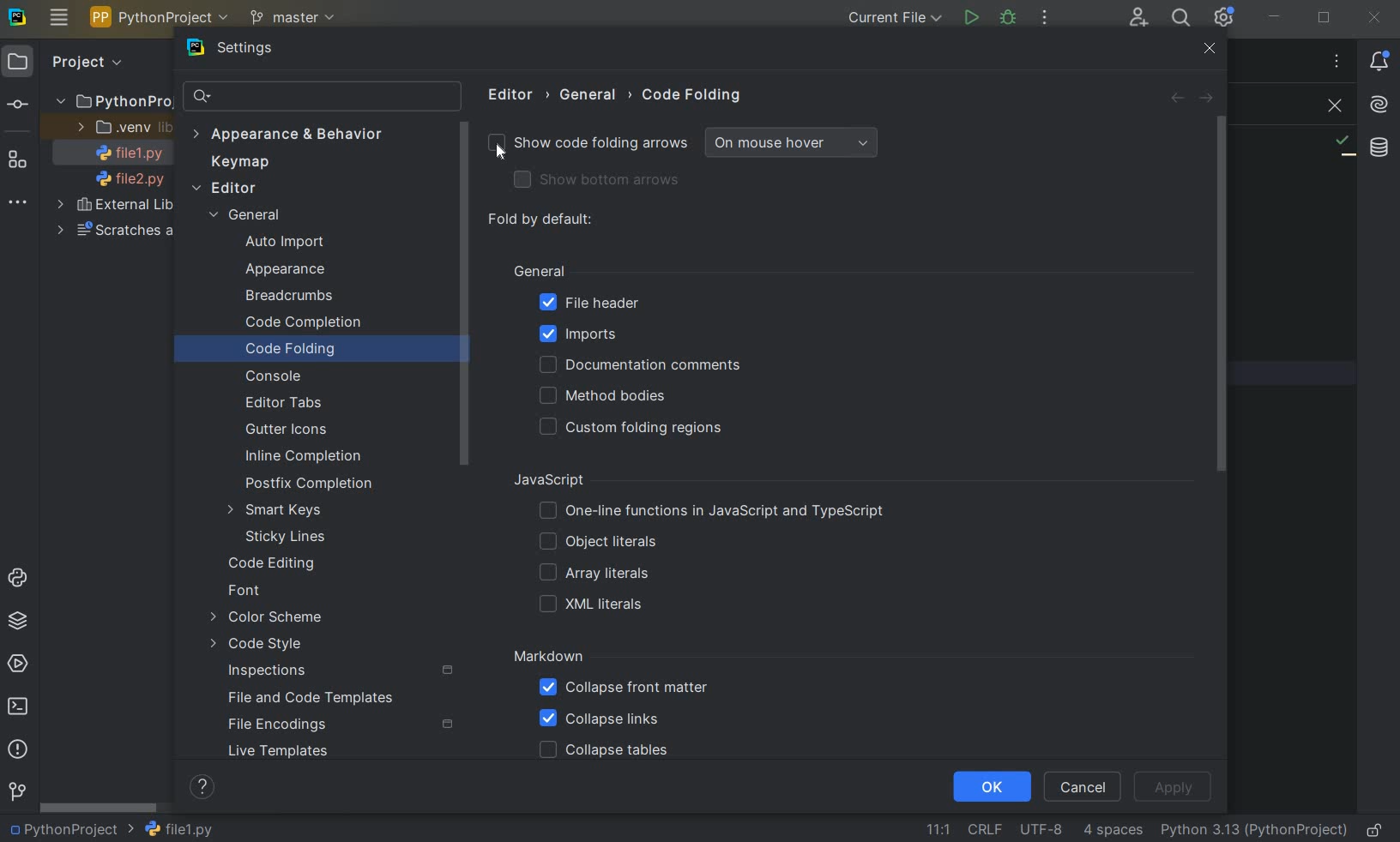  Describe the element at coordinates (605, 181) in the screenshot. I see `SHOW BUTTON ARROWS` at that location.